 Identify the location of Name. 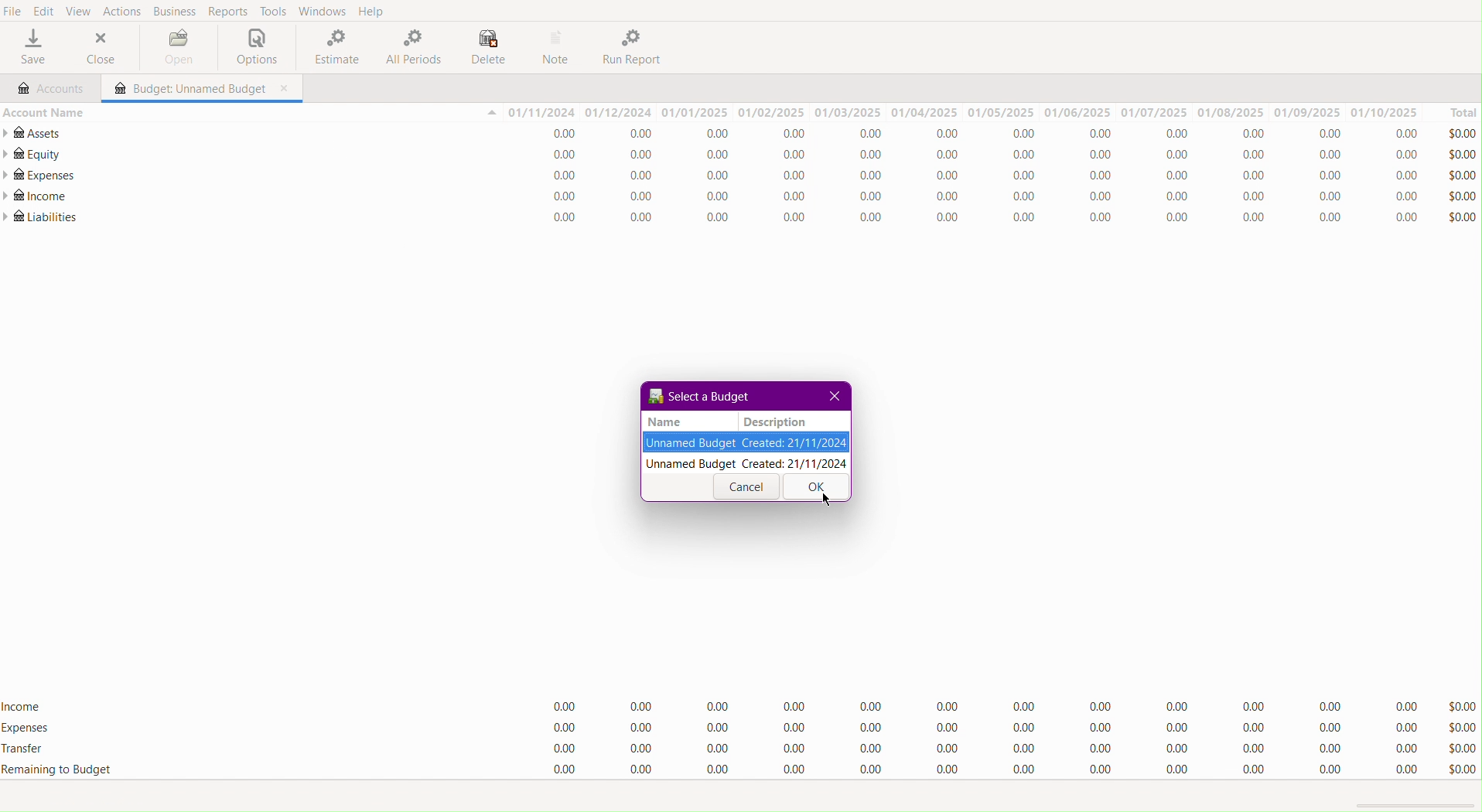
(665, 421).